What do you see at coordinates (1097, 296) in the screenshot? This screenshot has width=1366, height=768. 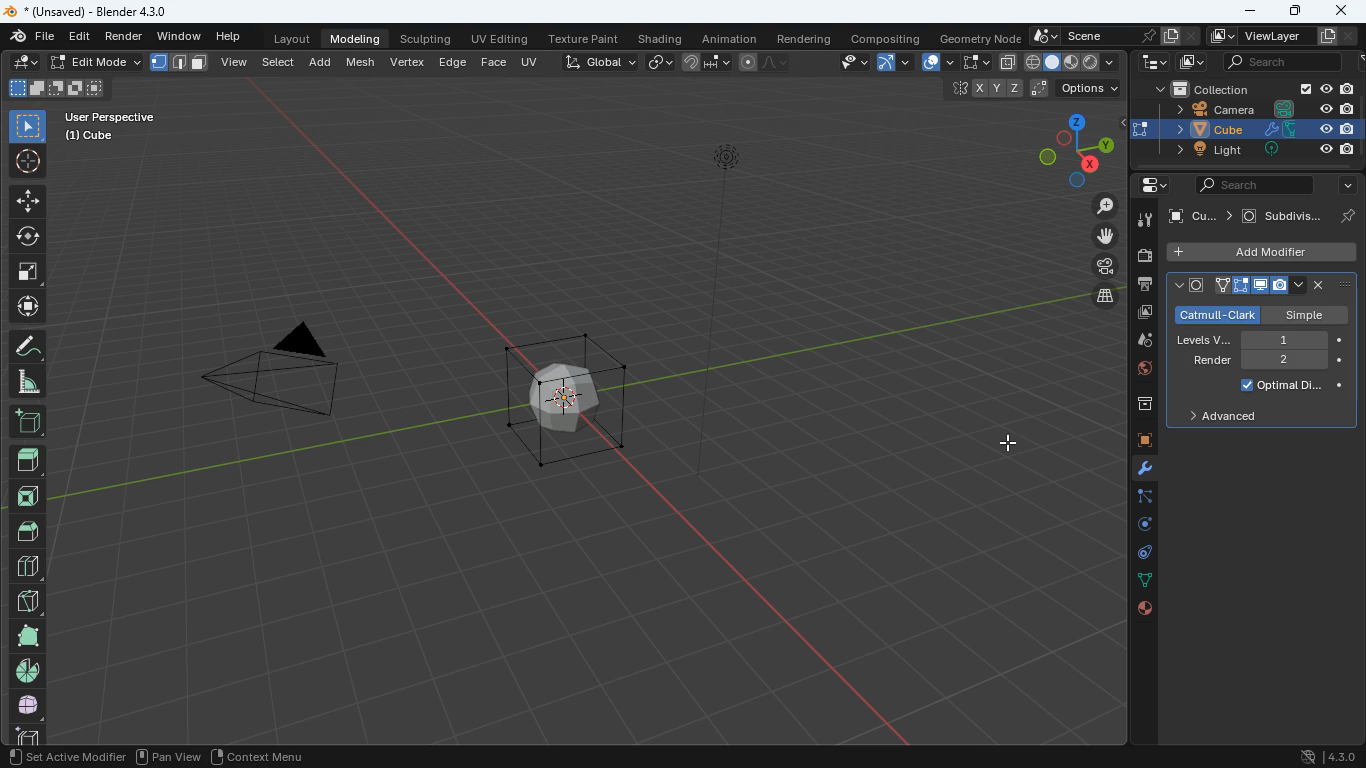 I see `layers` at bounding box center [1097, 296].